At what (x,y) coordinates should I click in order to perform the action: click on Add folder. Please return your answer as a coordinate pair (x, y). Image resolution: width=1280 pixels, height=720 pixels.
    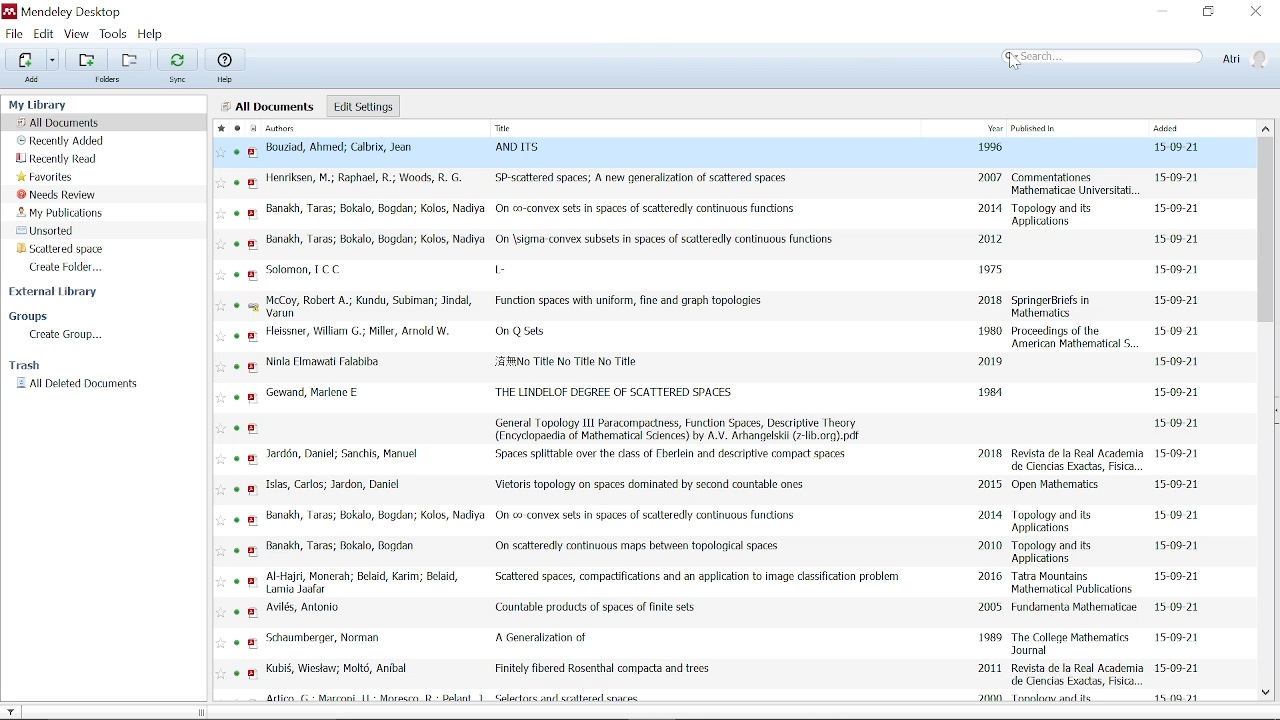
    Looking at the image, I should click on (87, 58).